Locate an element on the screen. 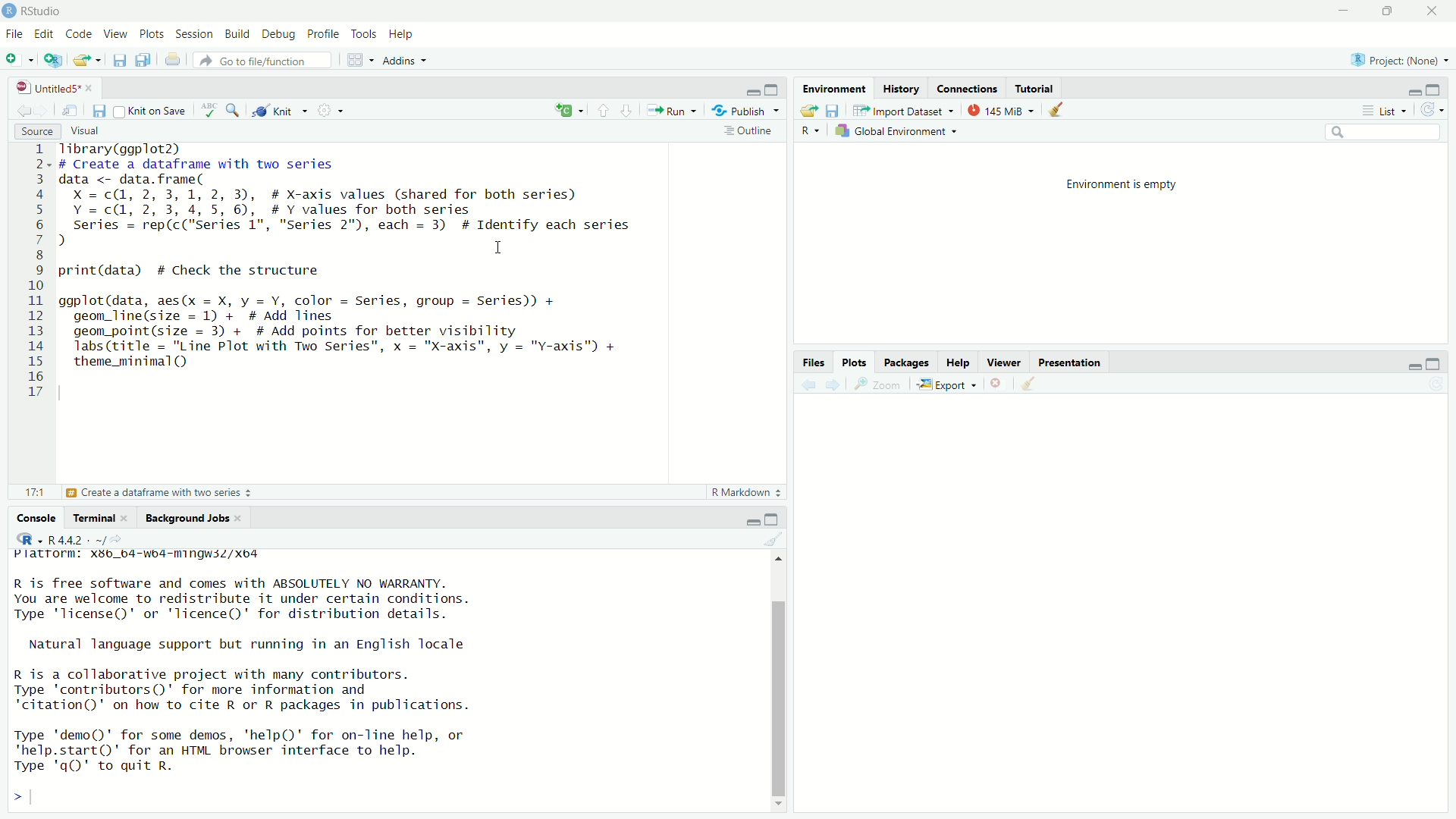 Image resolution: width=1456 pixels, height=819 pixels. Export is located at coordinates (946, 384).